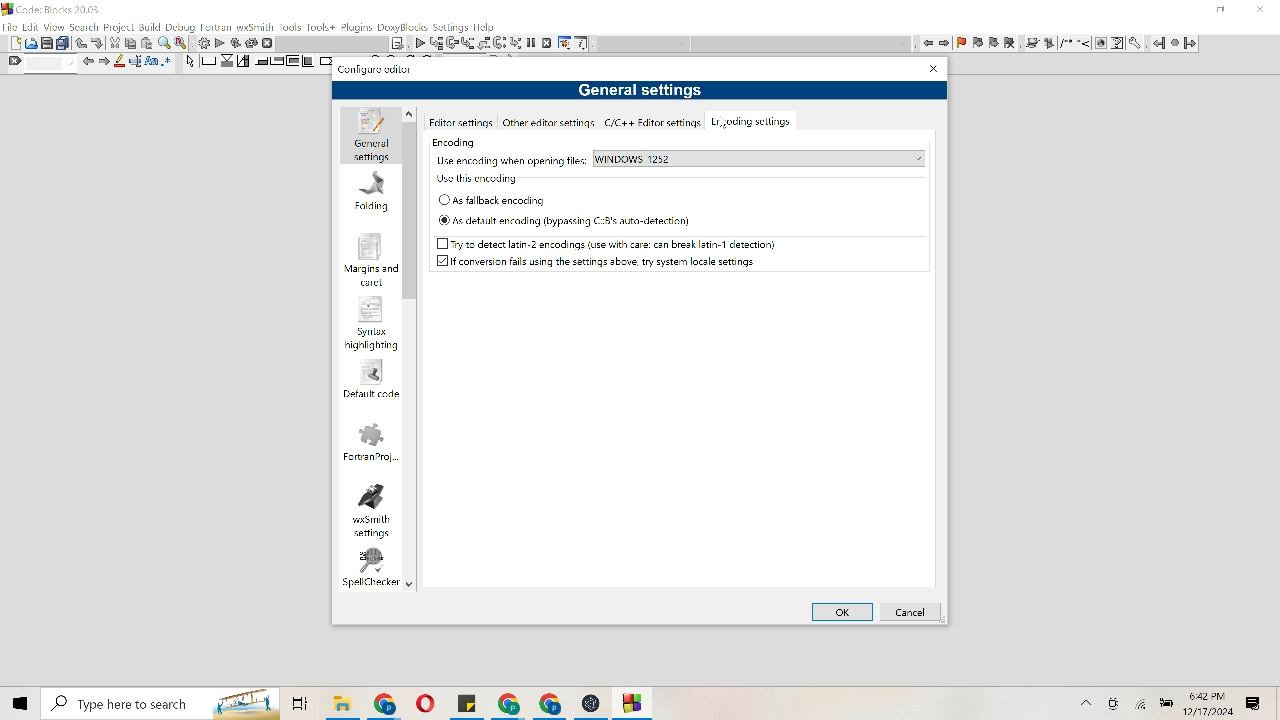  I want to click on Fortran project, so click(370, 438).